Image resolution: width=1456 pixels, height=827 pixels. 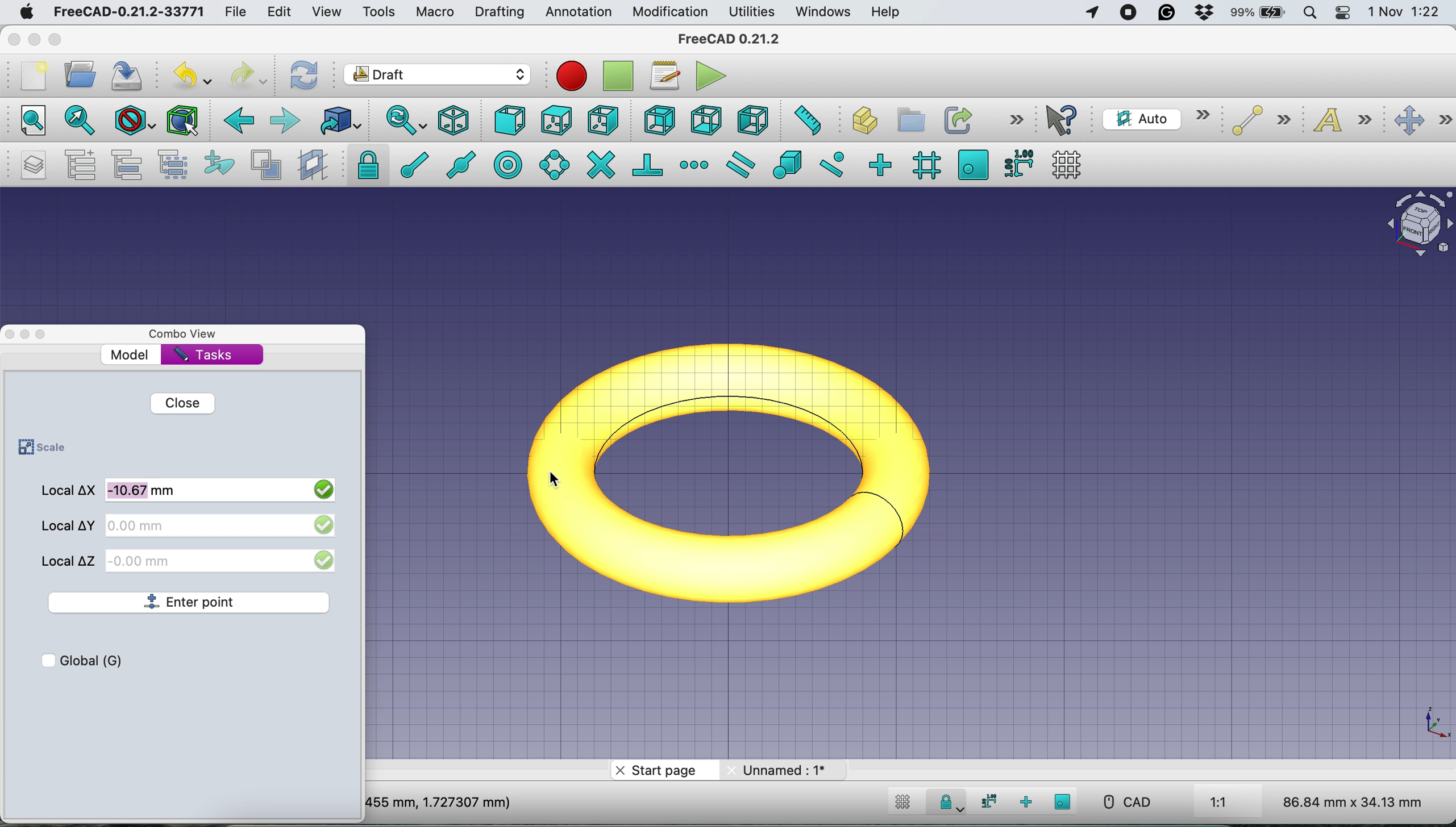 What do you see at coordinates (441, 801) in the screenshot?
I see `455 mm, 1.727307 mm)` at bounding box center [441, 801].